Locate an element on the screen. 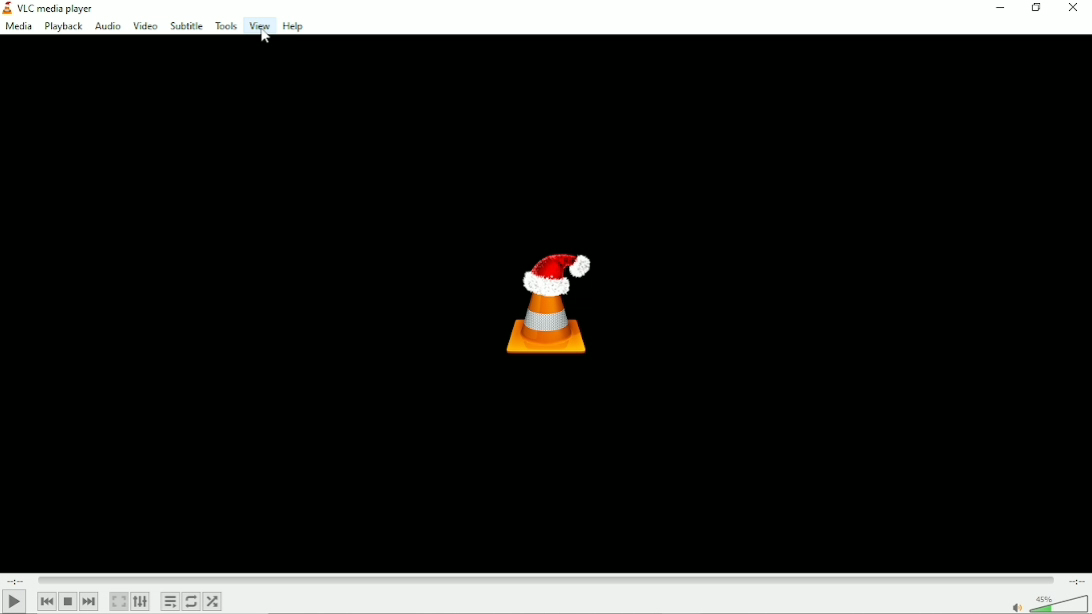 This screenshot has height=614, width=1092. Media is located at coordinates (18, 26).